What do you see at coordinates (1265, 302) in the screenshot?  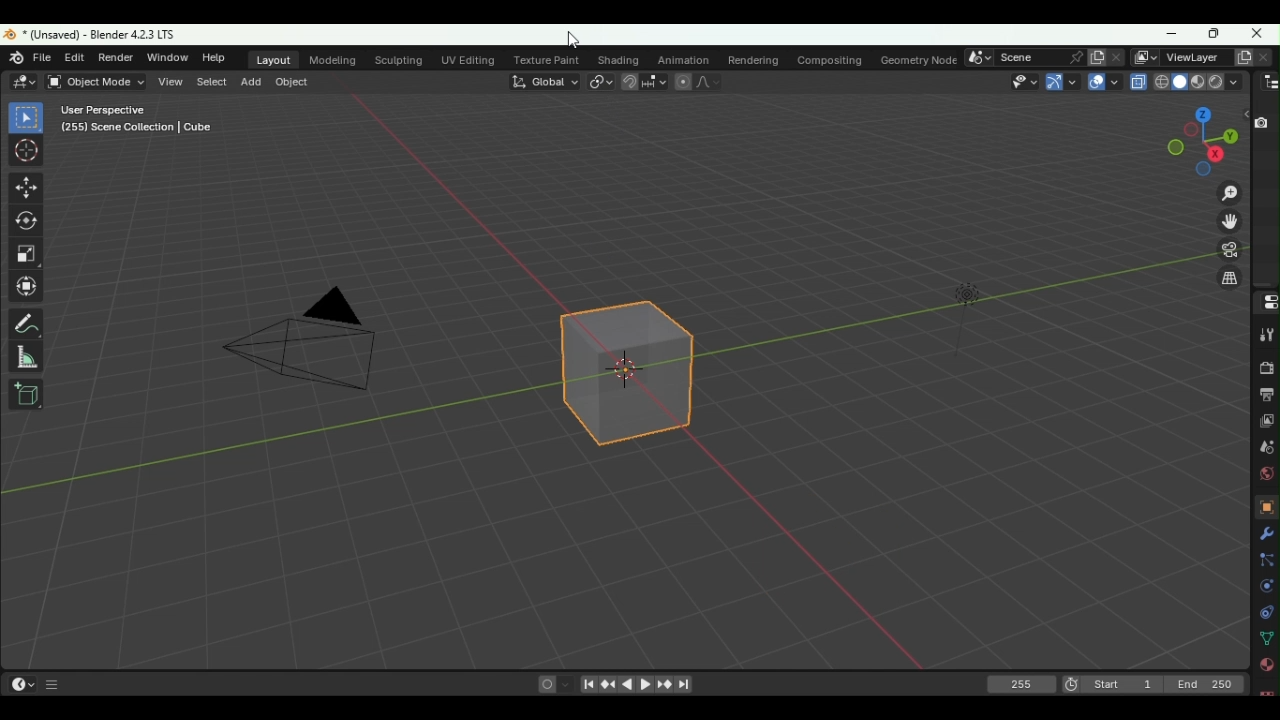 I see `Editor type` at bounding box center [1265, 302].